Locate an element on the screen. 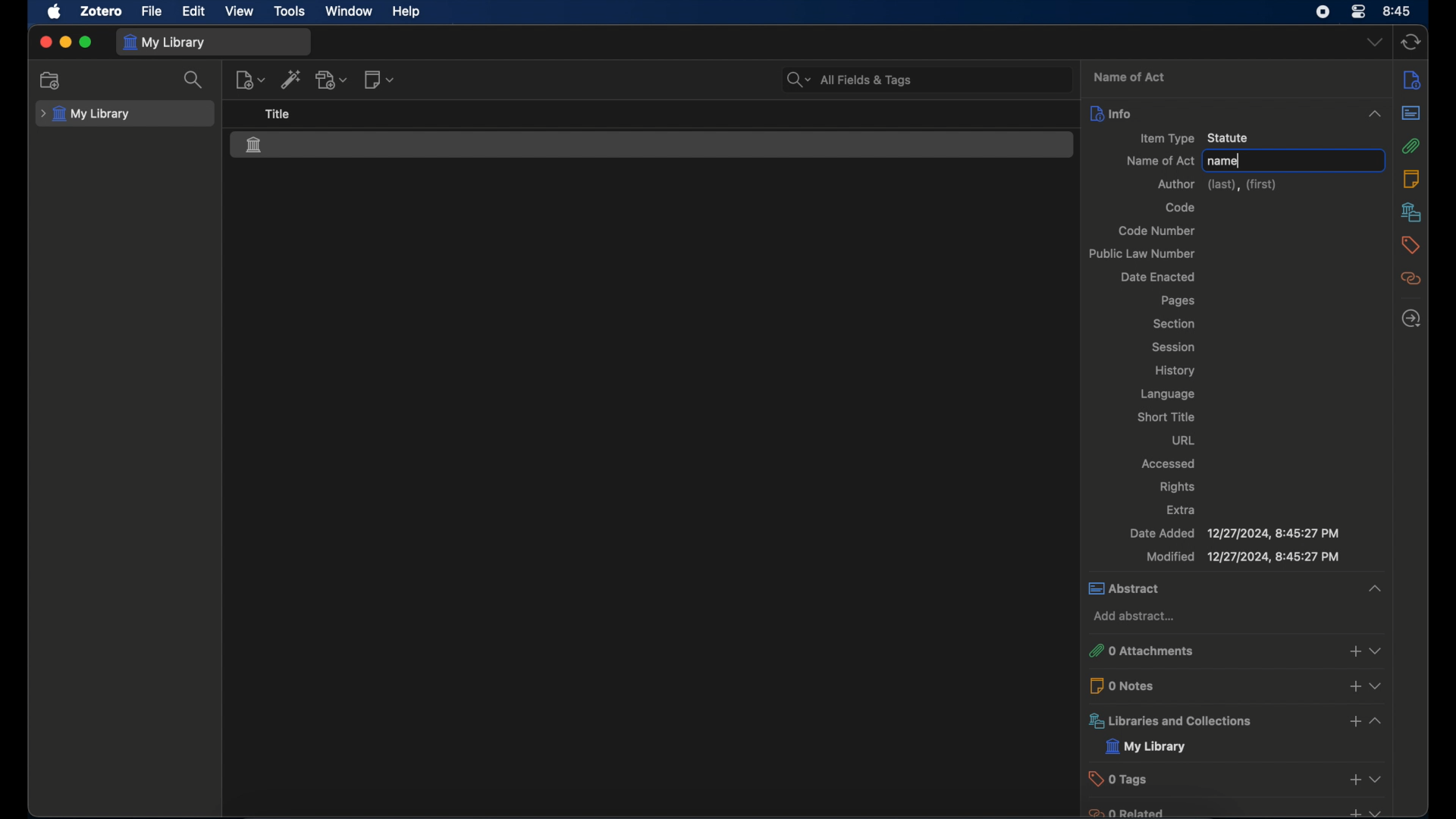 Image resolution: width=1456 pixels, height=819 pixels. language is located at coordinates (1168, 394).